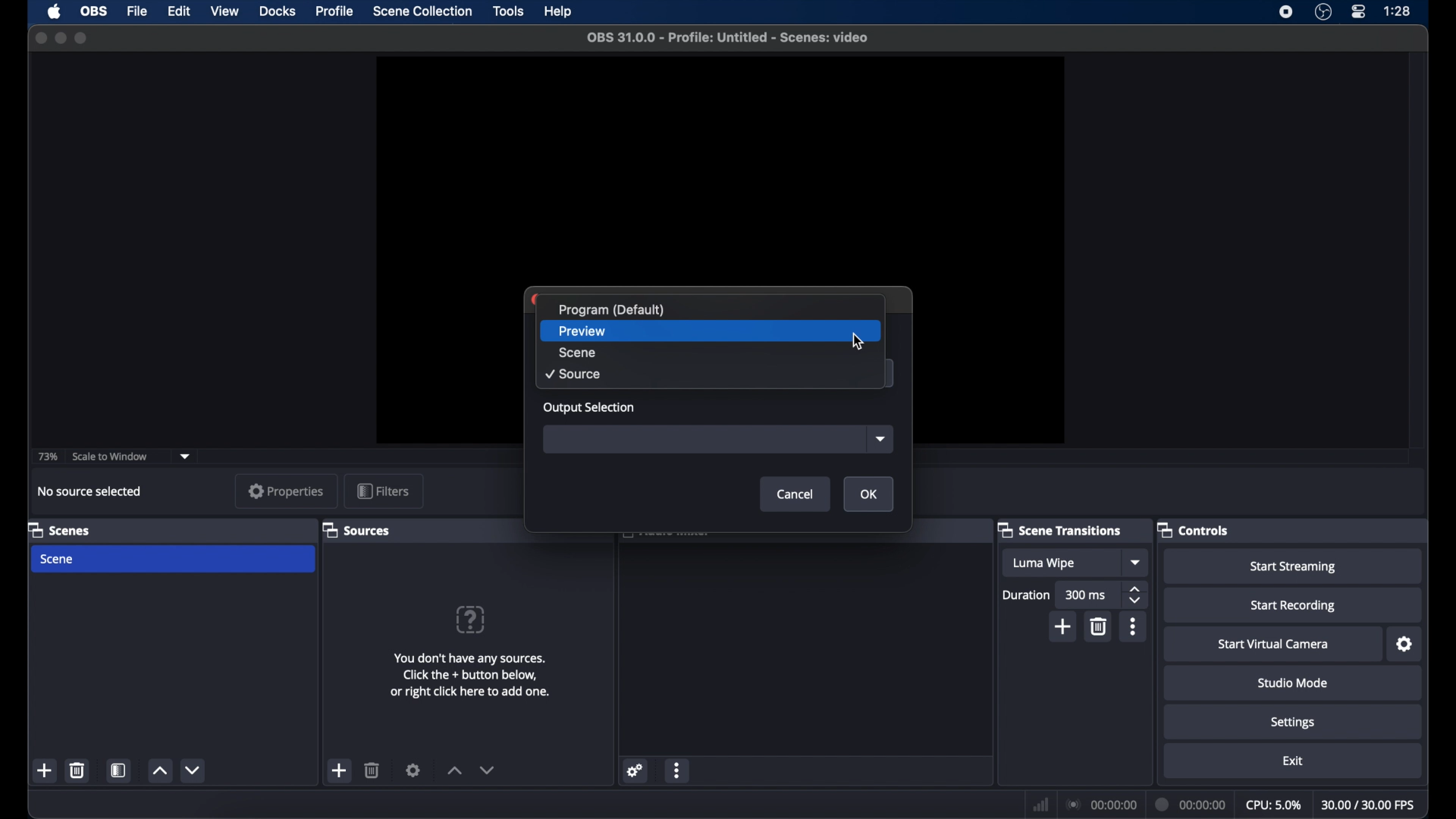 The width and height of the screenshot is (1456, 819). Describe the element at coordinates (795, 494) in the screenshot. I see `cancel` at that location.